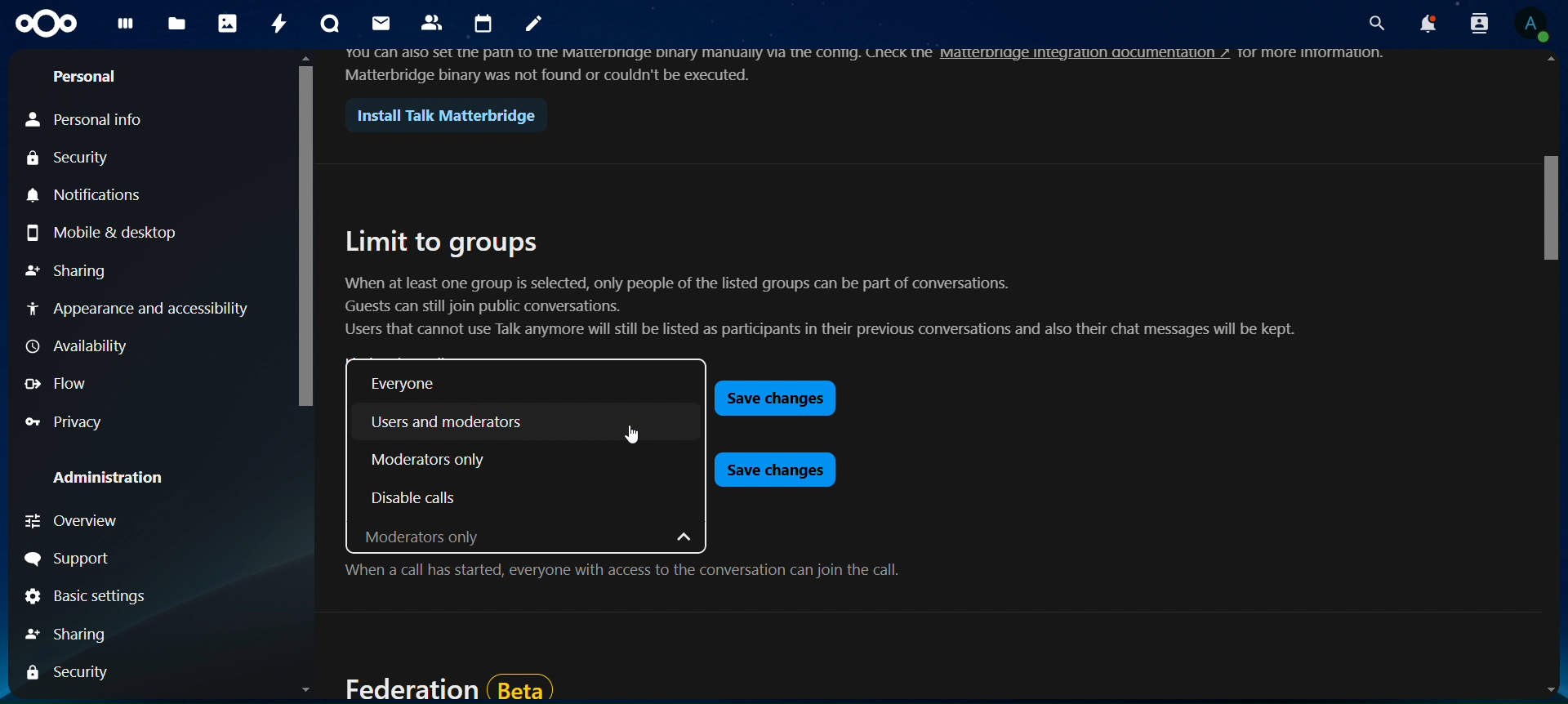 This screenshot has height=704, width=1568. Describe the element at coordinates (1373, 25) in the screenshot. I see `search` at that location.